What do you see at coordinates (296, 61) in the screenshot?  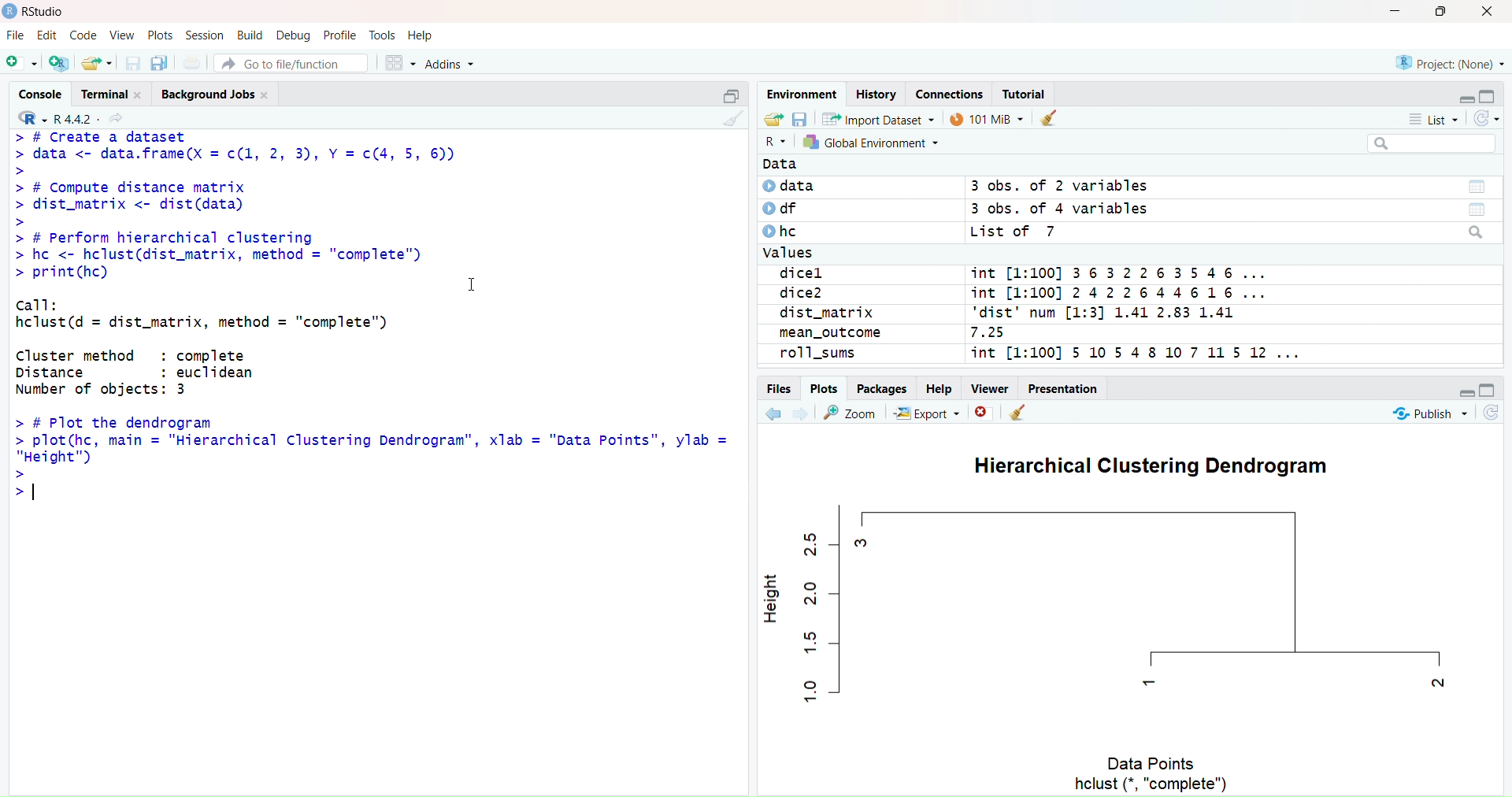 I see `Go to file/function` at bounding box center [296, 61].